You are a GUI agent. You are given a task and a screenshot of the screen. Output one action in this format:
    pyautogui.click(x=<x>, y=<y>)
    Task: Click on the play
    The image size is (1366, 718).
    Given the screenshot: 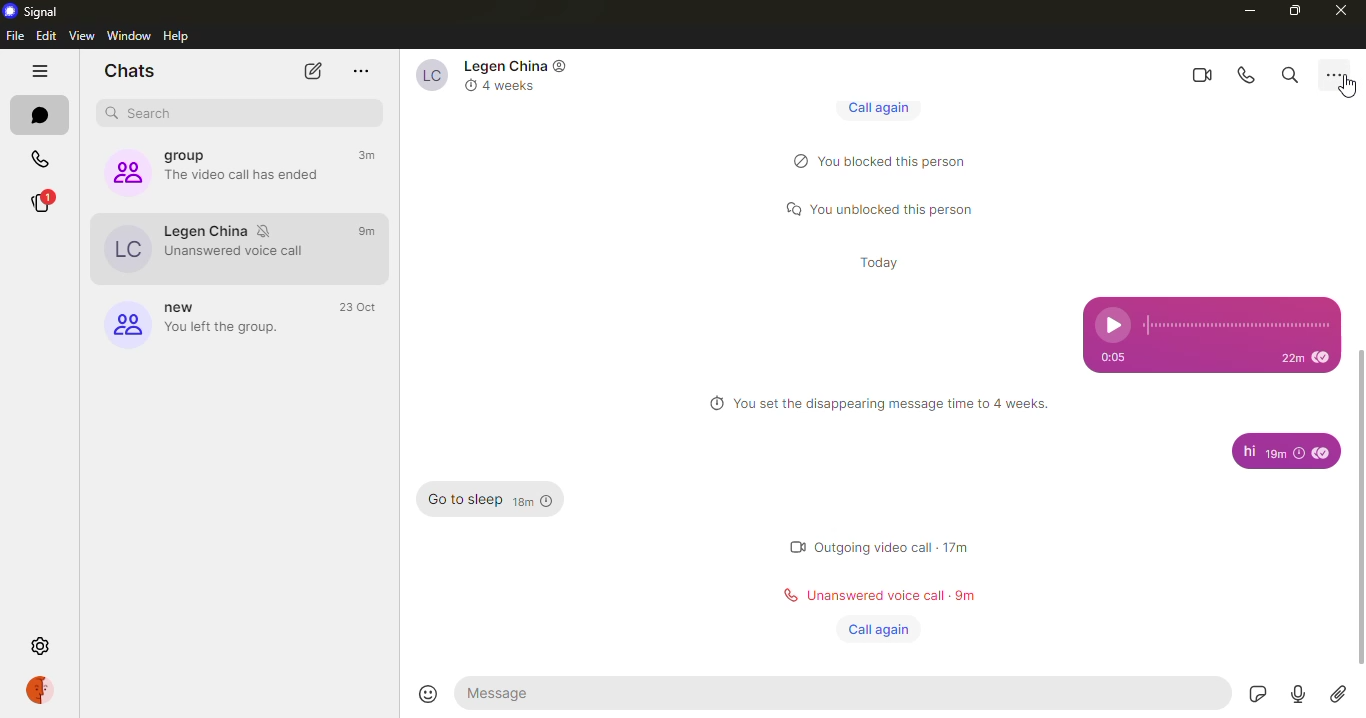 What is the action you would take?
    pyautogui.click(x=1113, y=325)
    